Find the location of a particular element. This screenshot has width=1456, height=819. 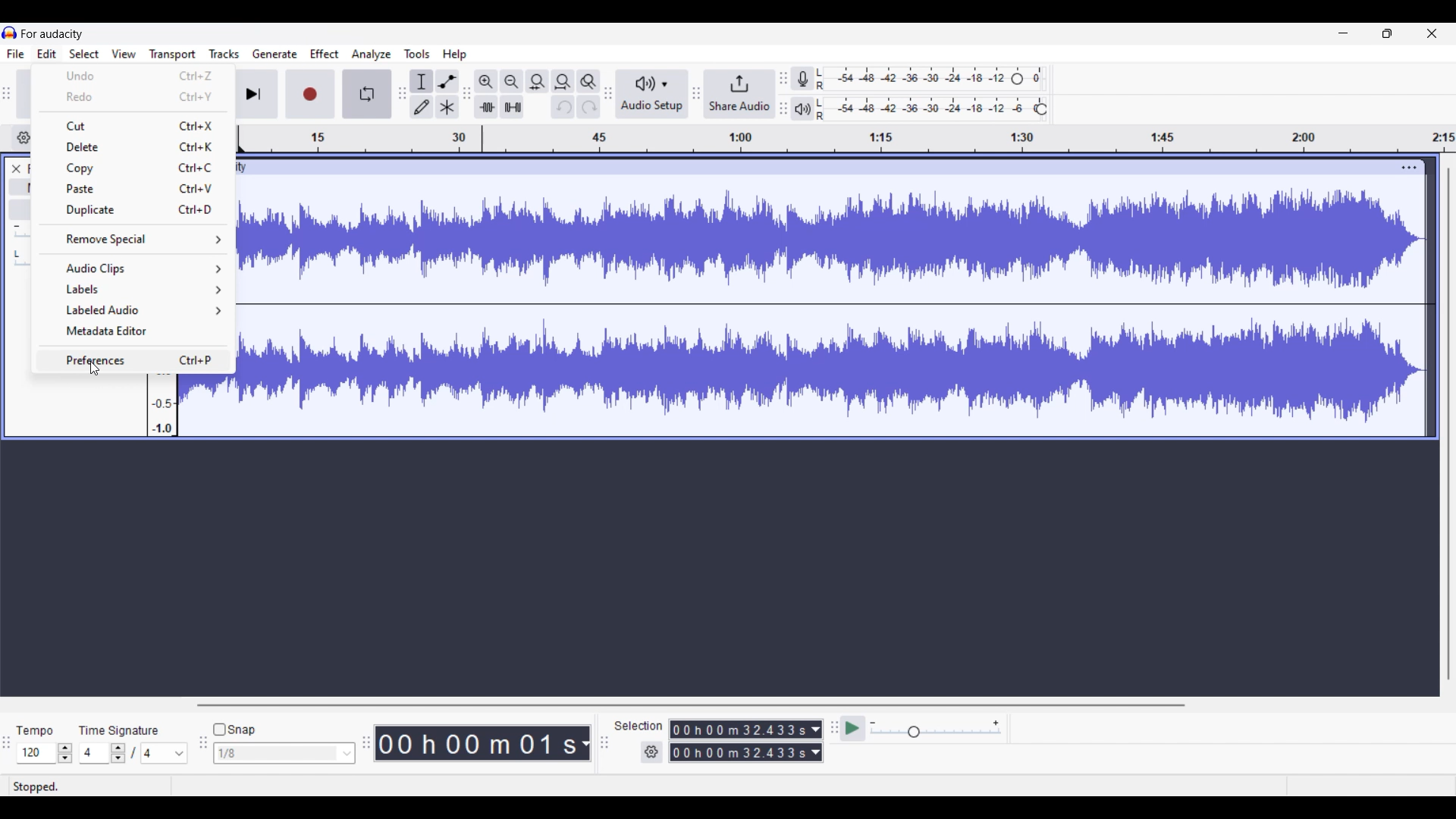

Paste is located at coordinates (133, 189).